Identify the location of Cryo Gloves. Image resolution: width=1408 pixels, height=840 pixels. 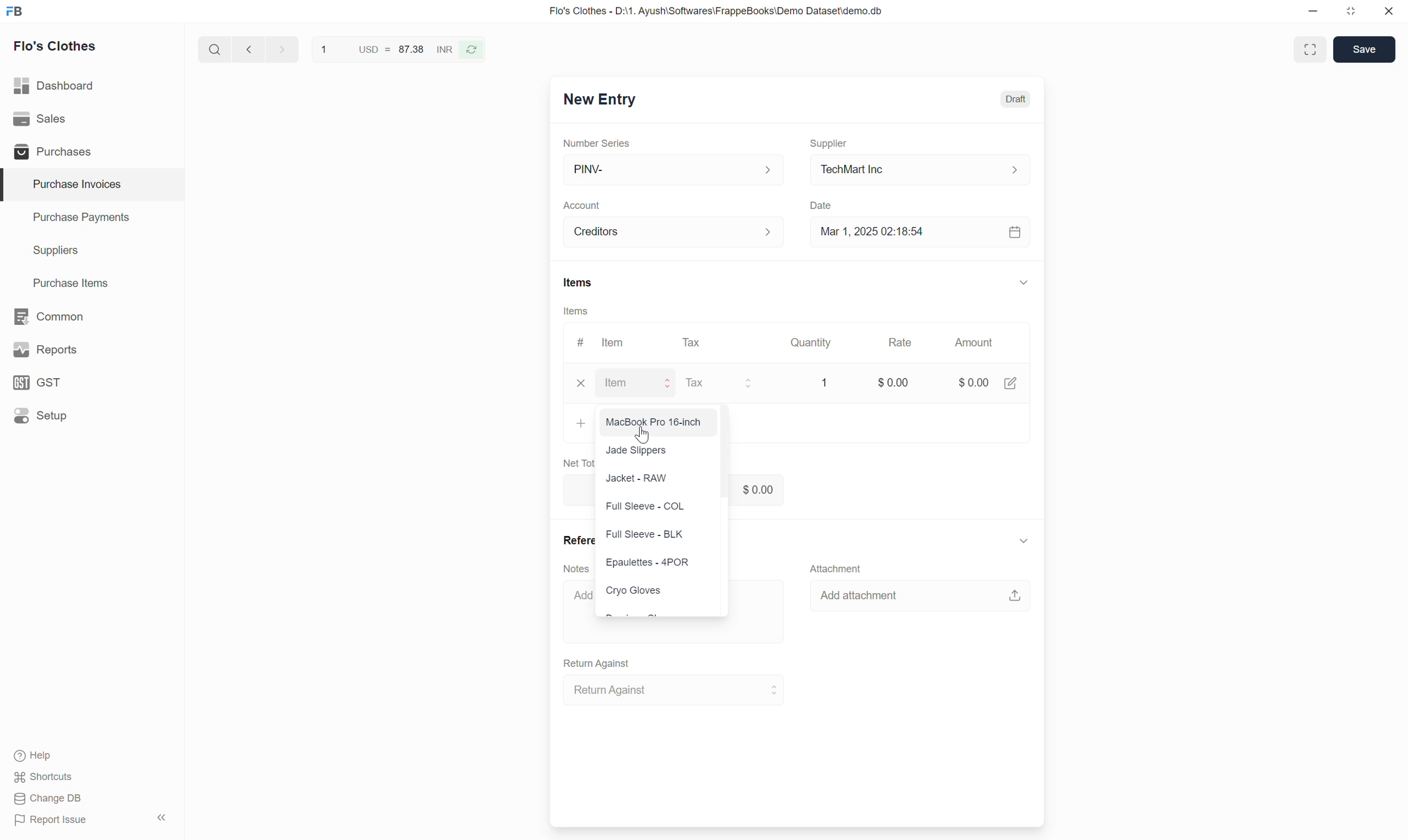
(635, 590).